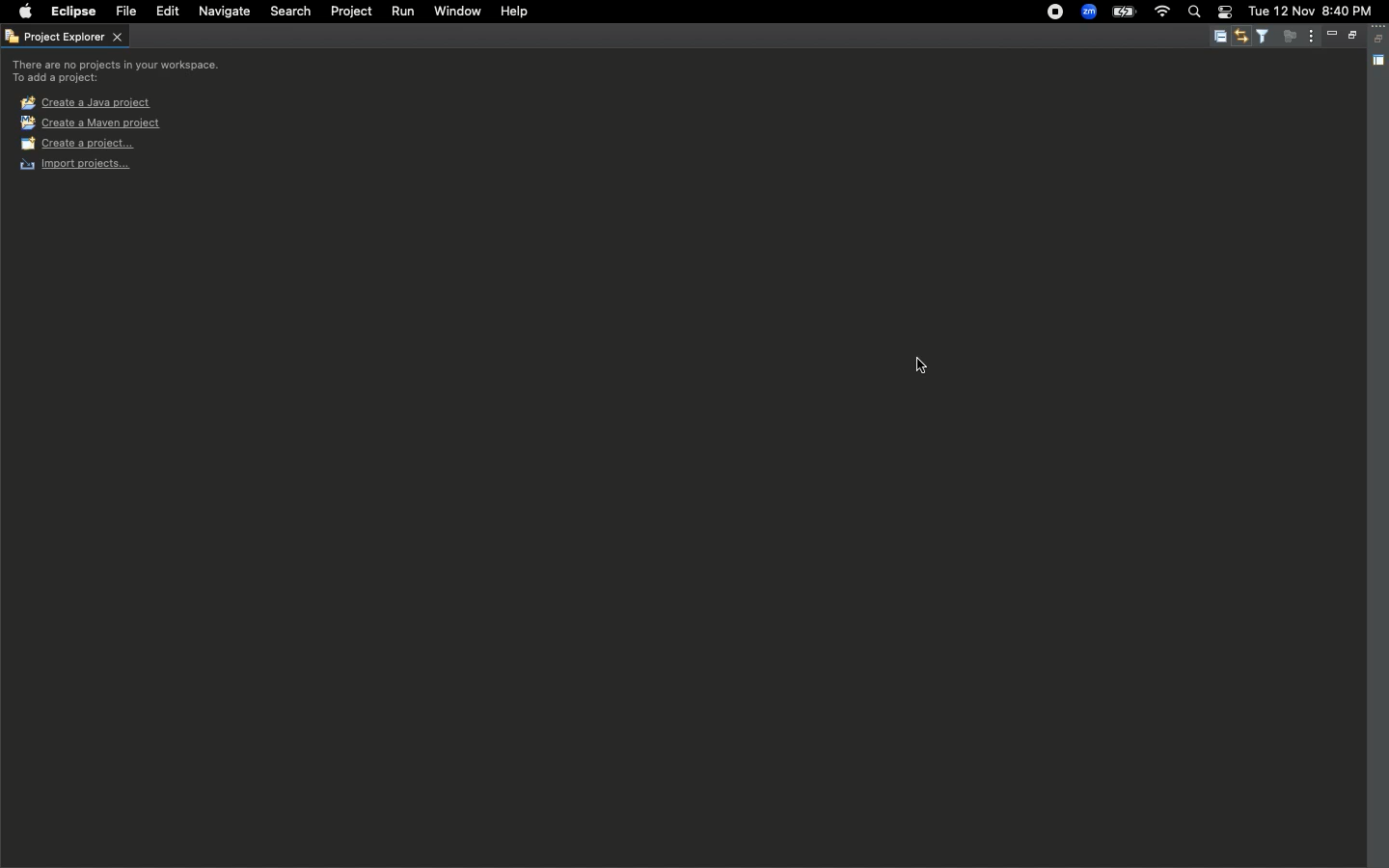 This screenshot has width=1389, height=868. Describe the element at coordinates (1219, 38) in the screenshot. I see `Collapse all` at that location.